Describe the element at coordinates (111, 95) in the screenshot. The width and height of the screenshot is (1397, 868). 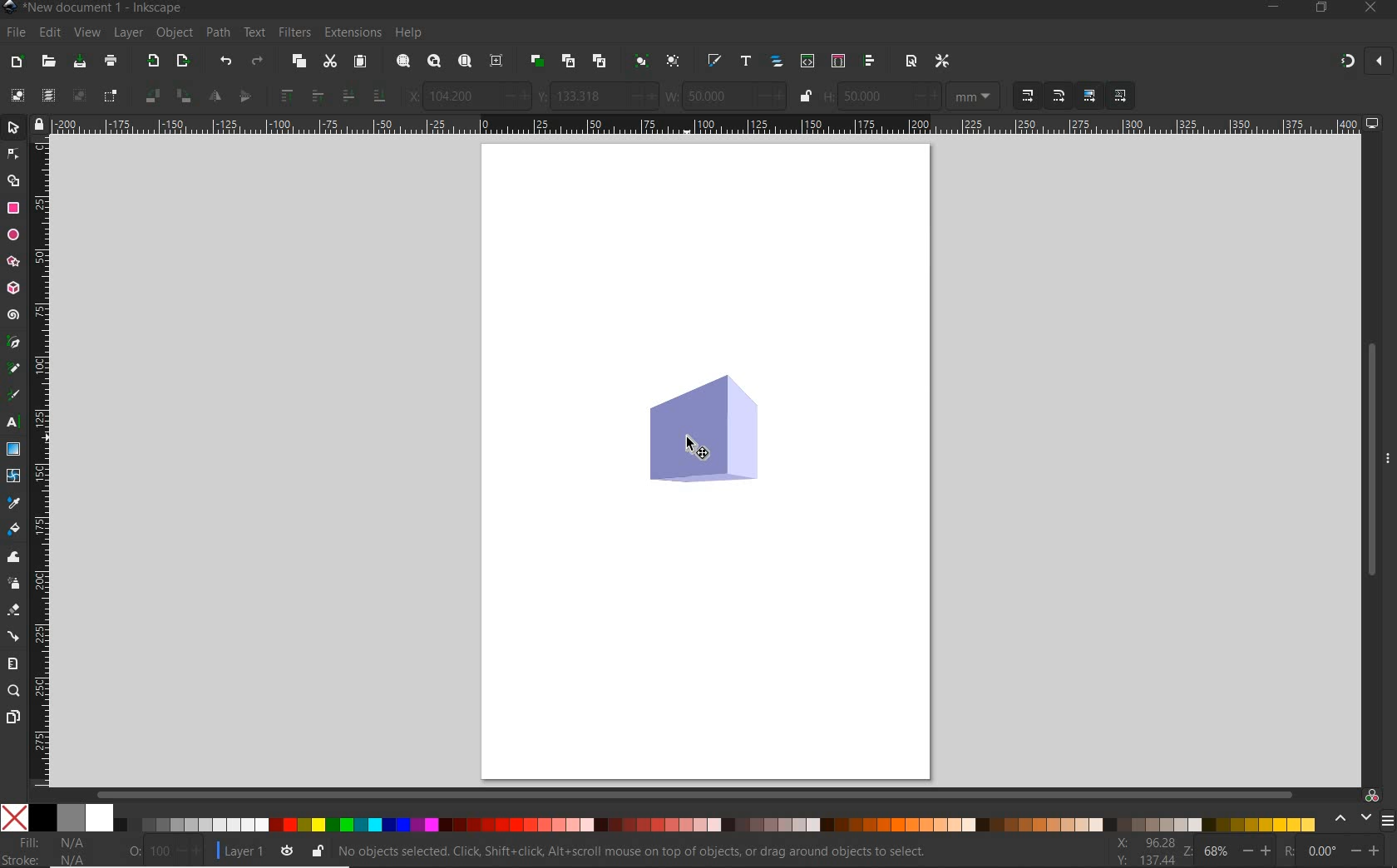
I see `toggle selection box` at that location.